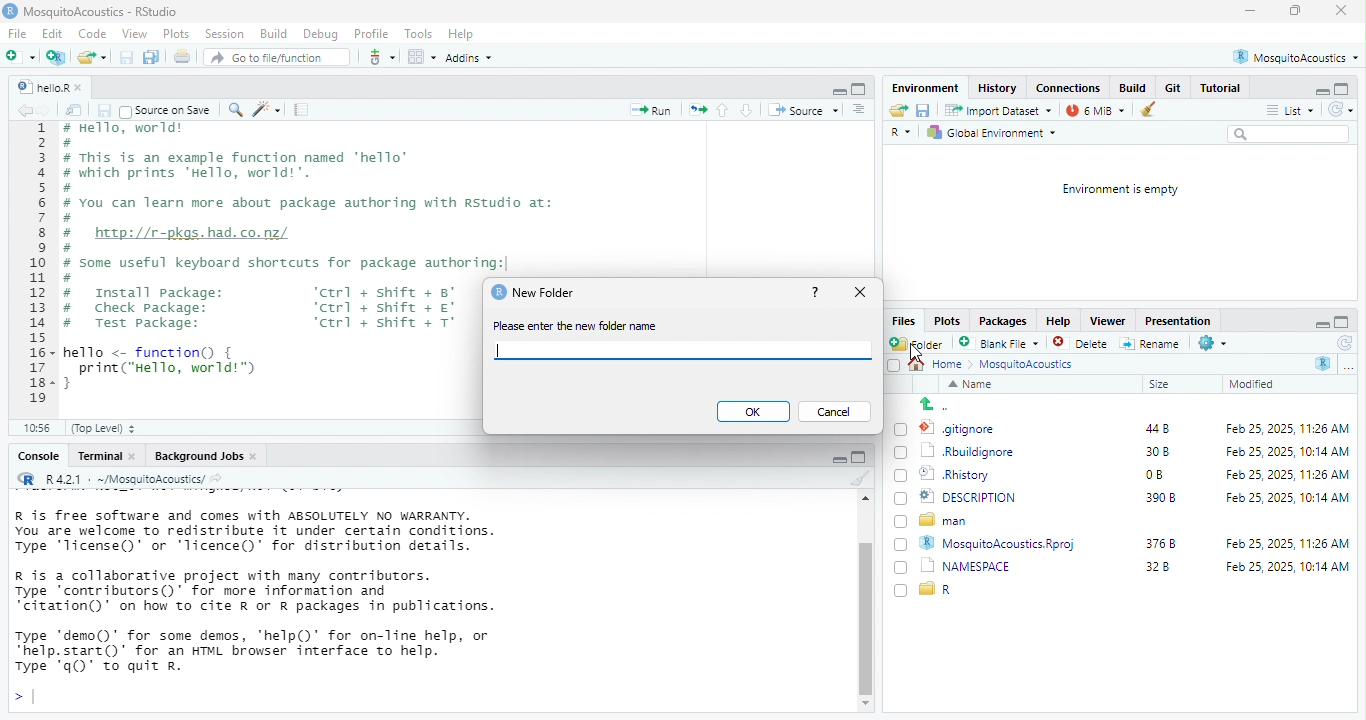 The height and width of the screenshot is (720, 1366). I want to click on go back to the previous source location, so click(25, 112).